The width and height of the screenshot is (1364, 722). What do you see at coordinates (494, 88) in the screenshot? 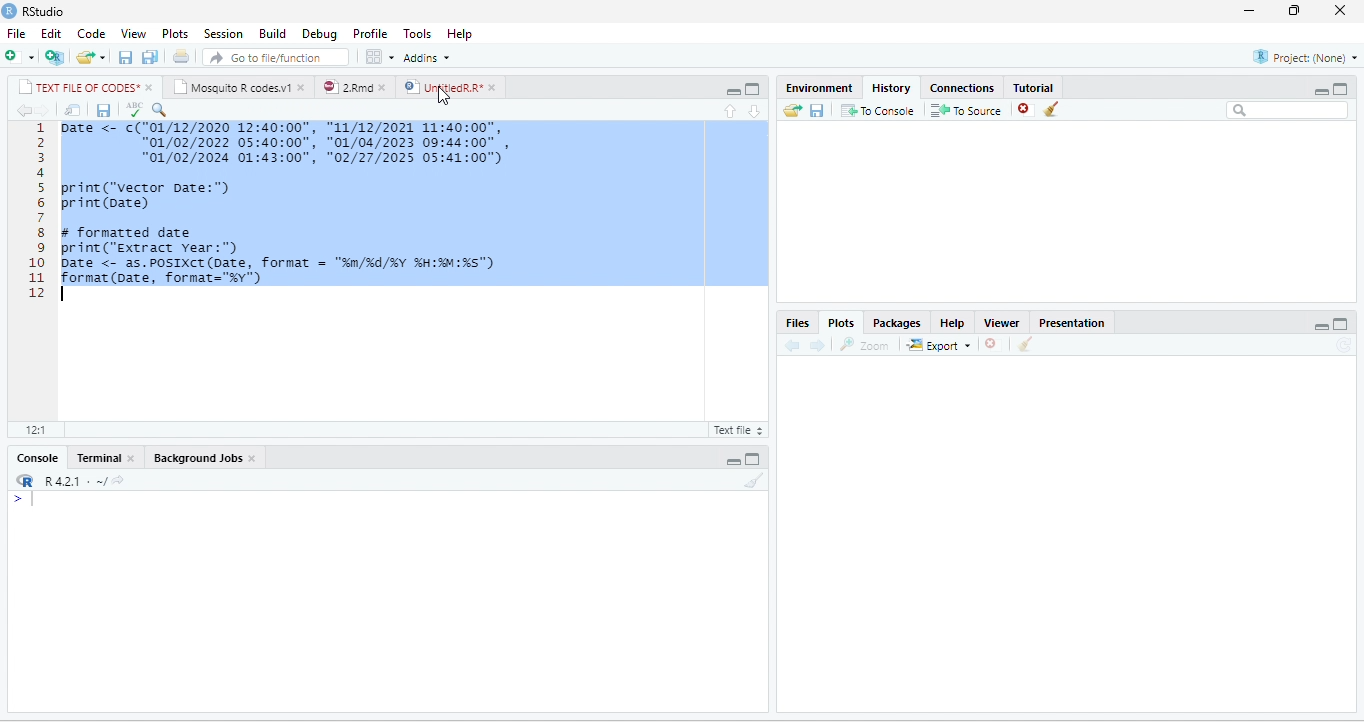
I see `close` at bounding box center [494, 88].